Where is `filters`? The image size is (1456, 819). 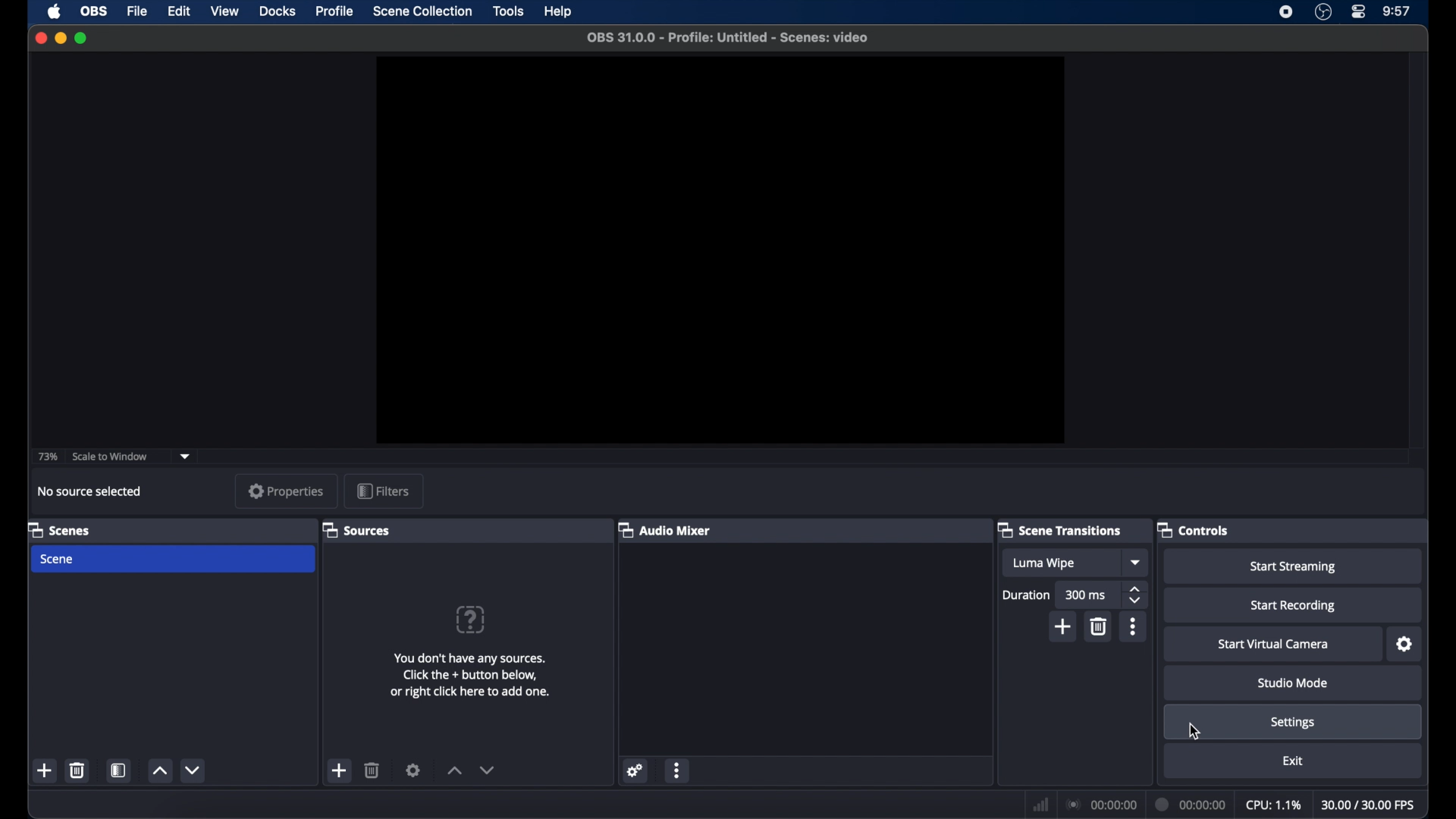
filters is located at coordinates (383, 491).